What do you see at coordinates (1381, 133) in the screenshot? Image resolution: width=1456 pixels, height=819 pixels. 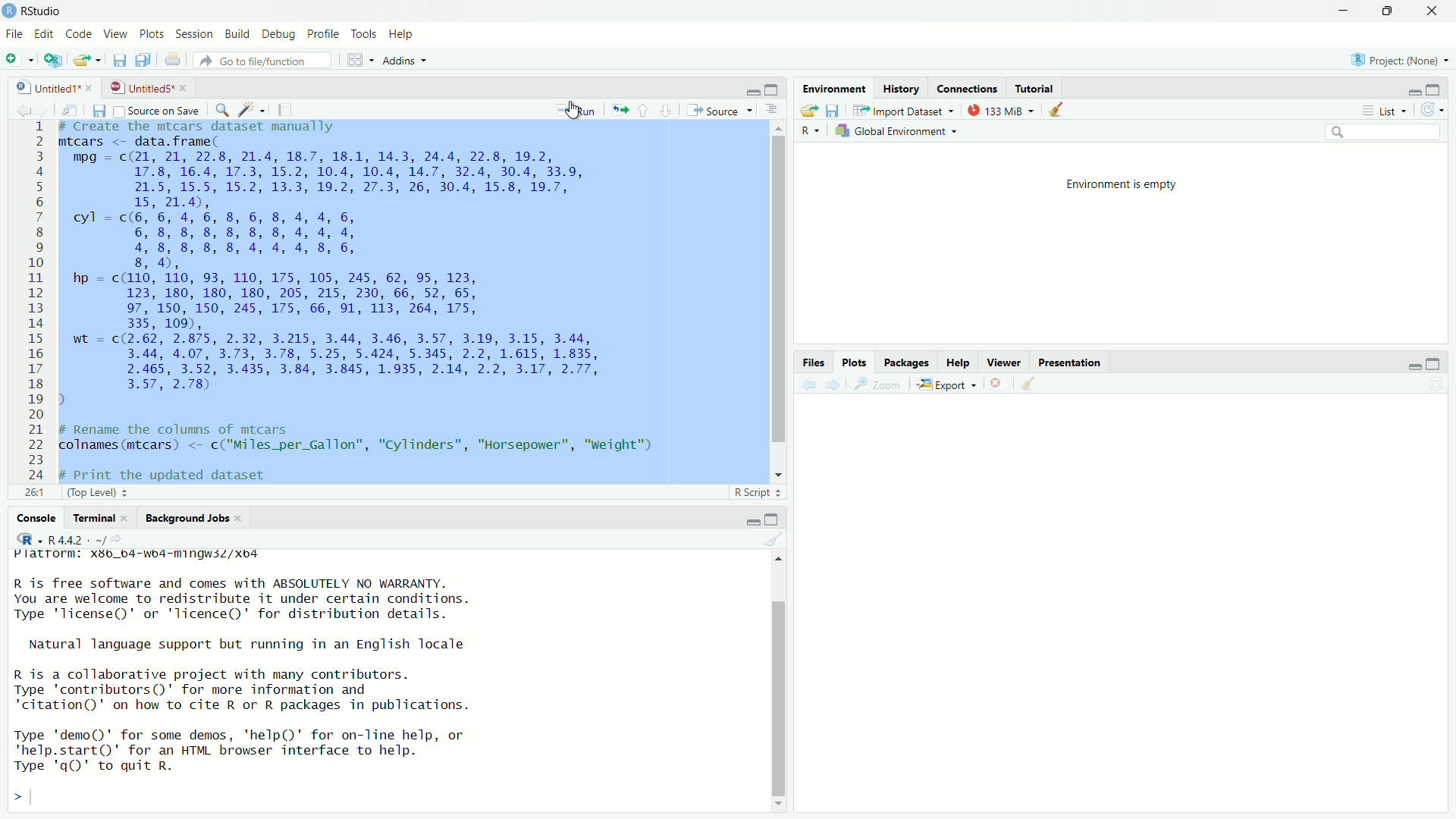 I see `search` at bounding box center [1381, 133].